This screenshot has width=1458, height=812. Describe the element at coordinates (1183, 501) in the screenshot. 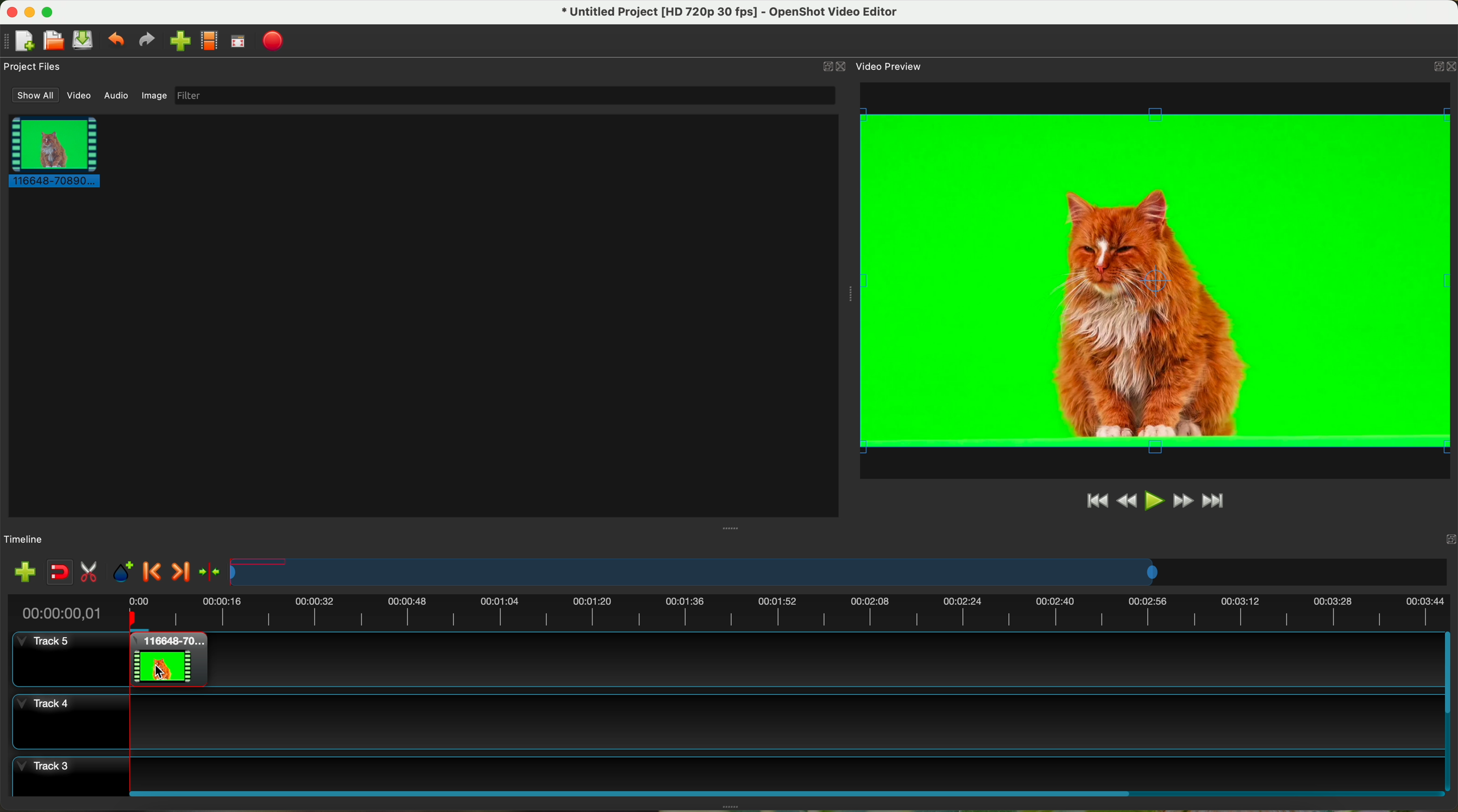

I see `fast foward` at that location.